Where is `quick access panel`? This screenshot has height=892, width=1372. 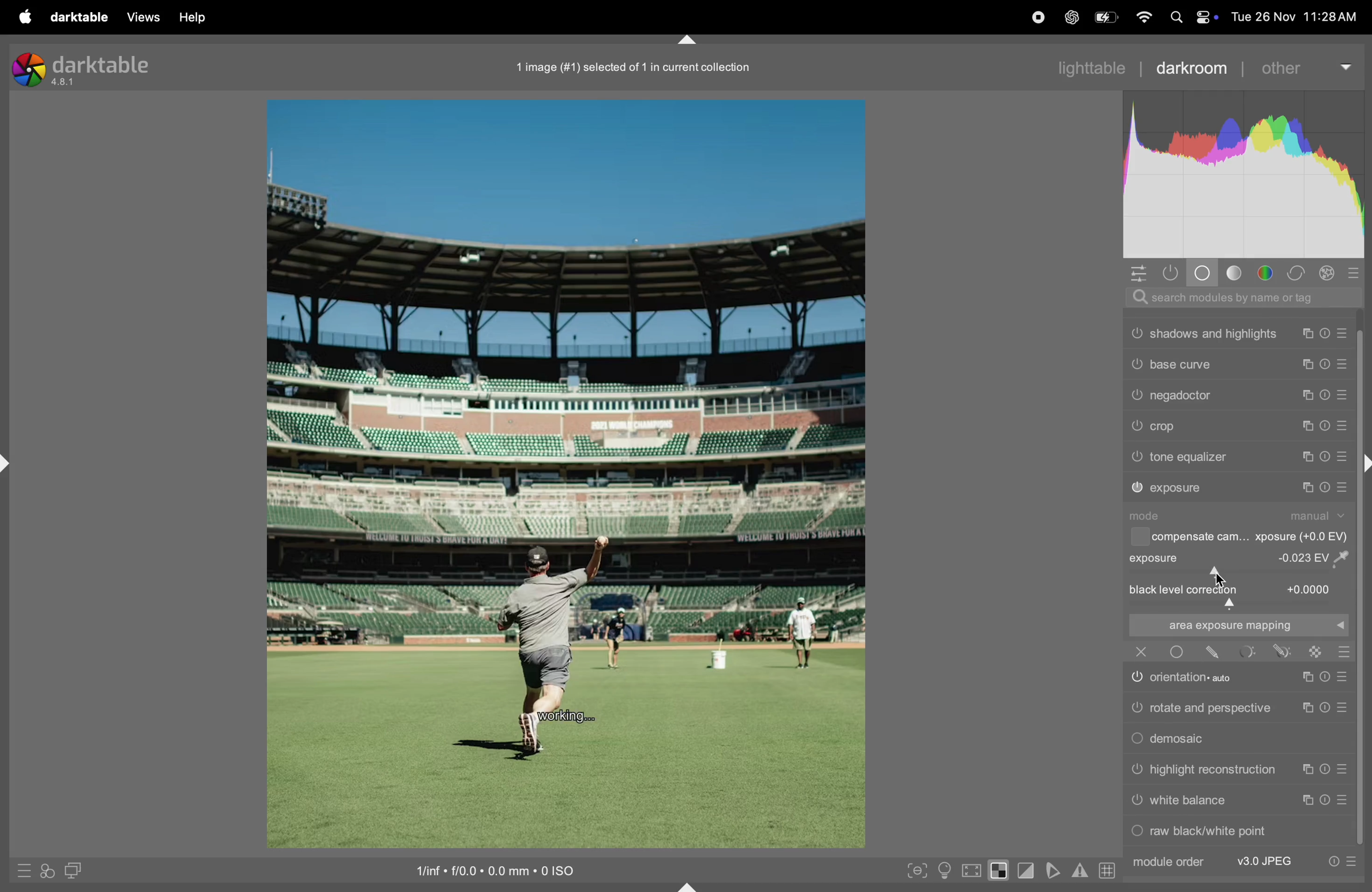 quick access panel is located at coordinates (1138, 273).